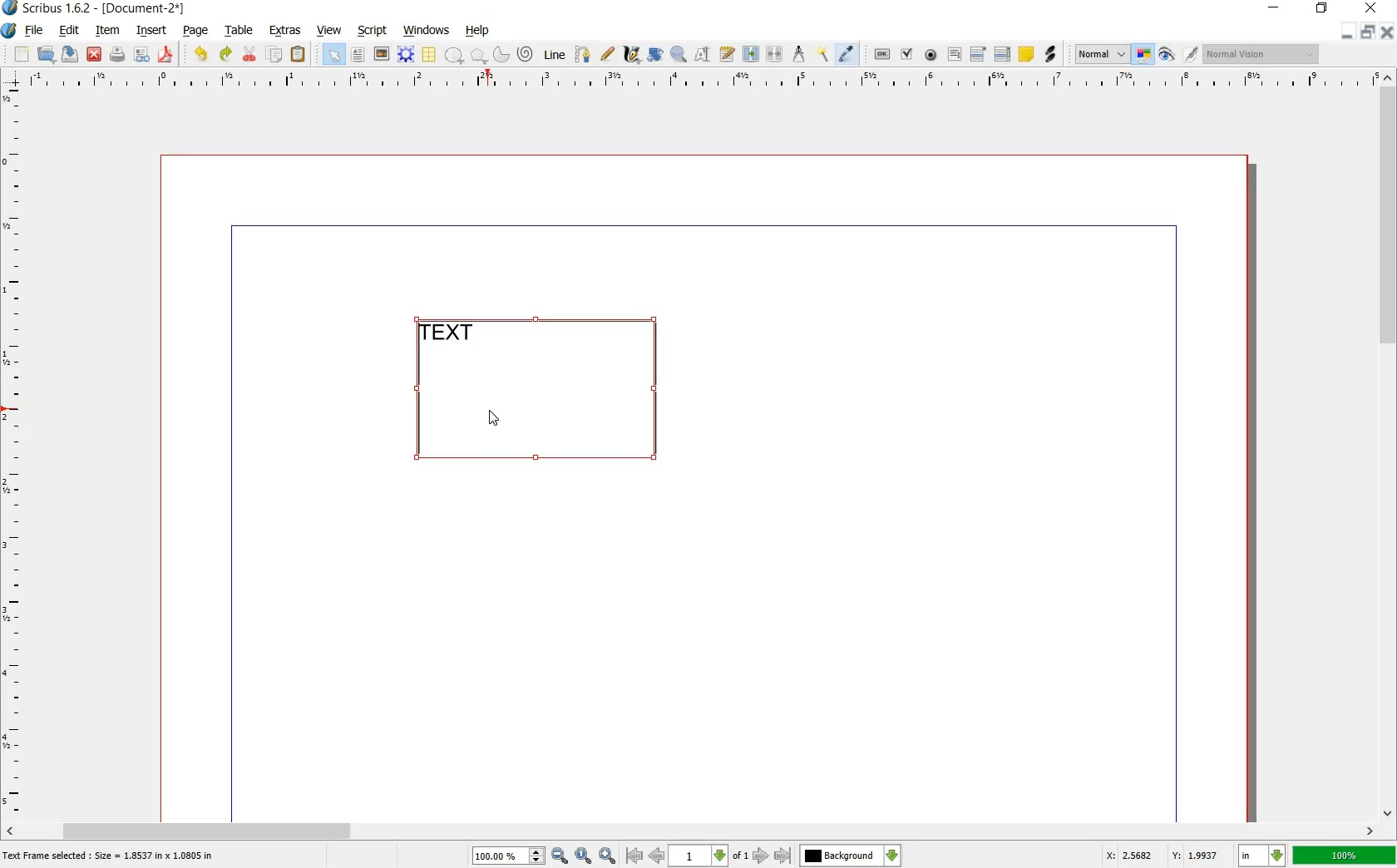 Image resolution: width=1397 pixels, height=868 pixels. I want to click on pdf combo box, so click(979, 53).